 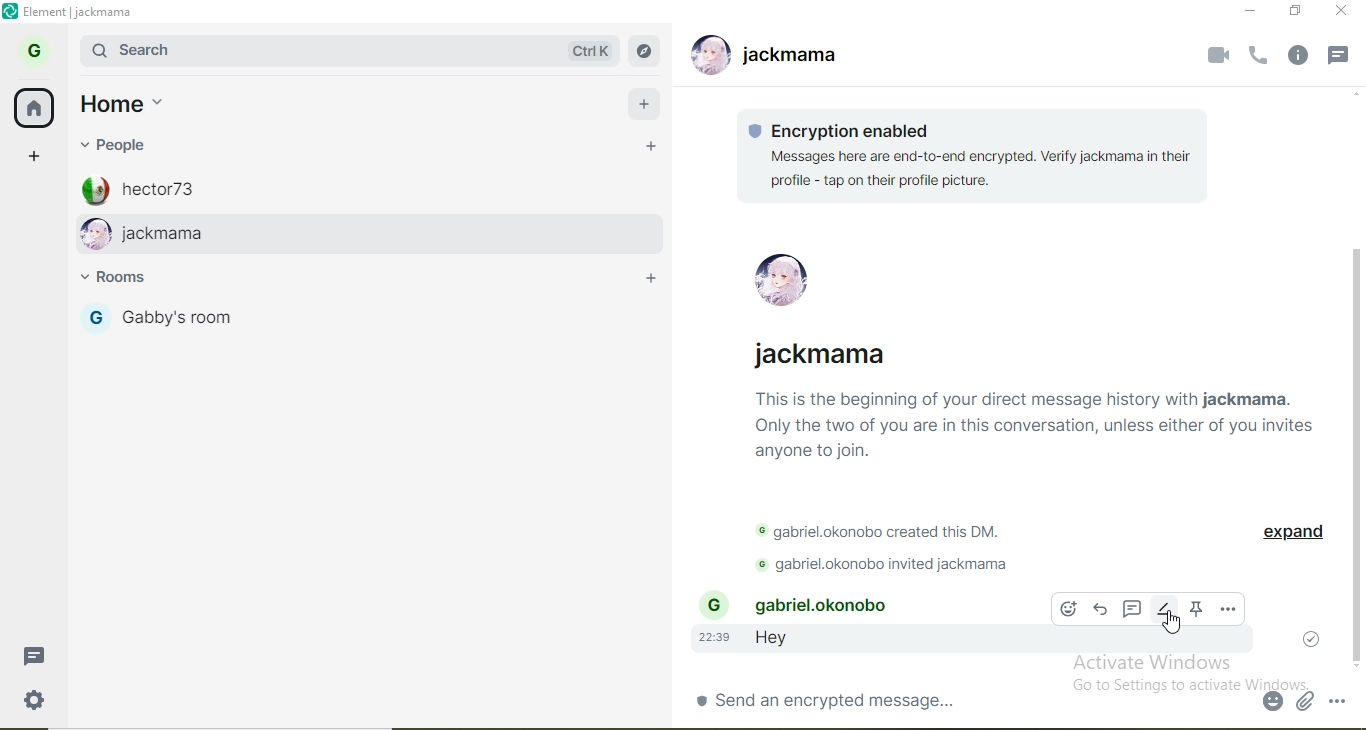 What do you see at coordinates (318, 50) in the screenshot?
I see `search bar` at bounding box center [318, 50].